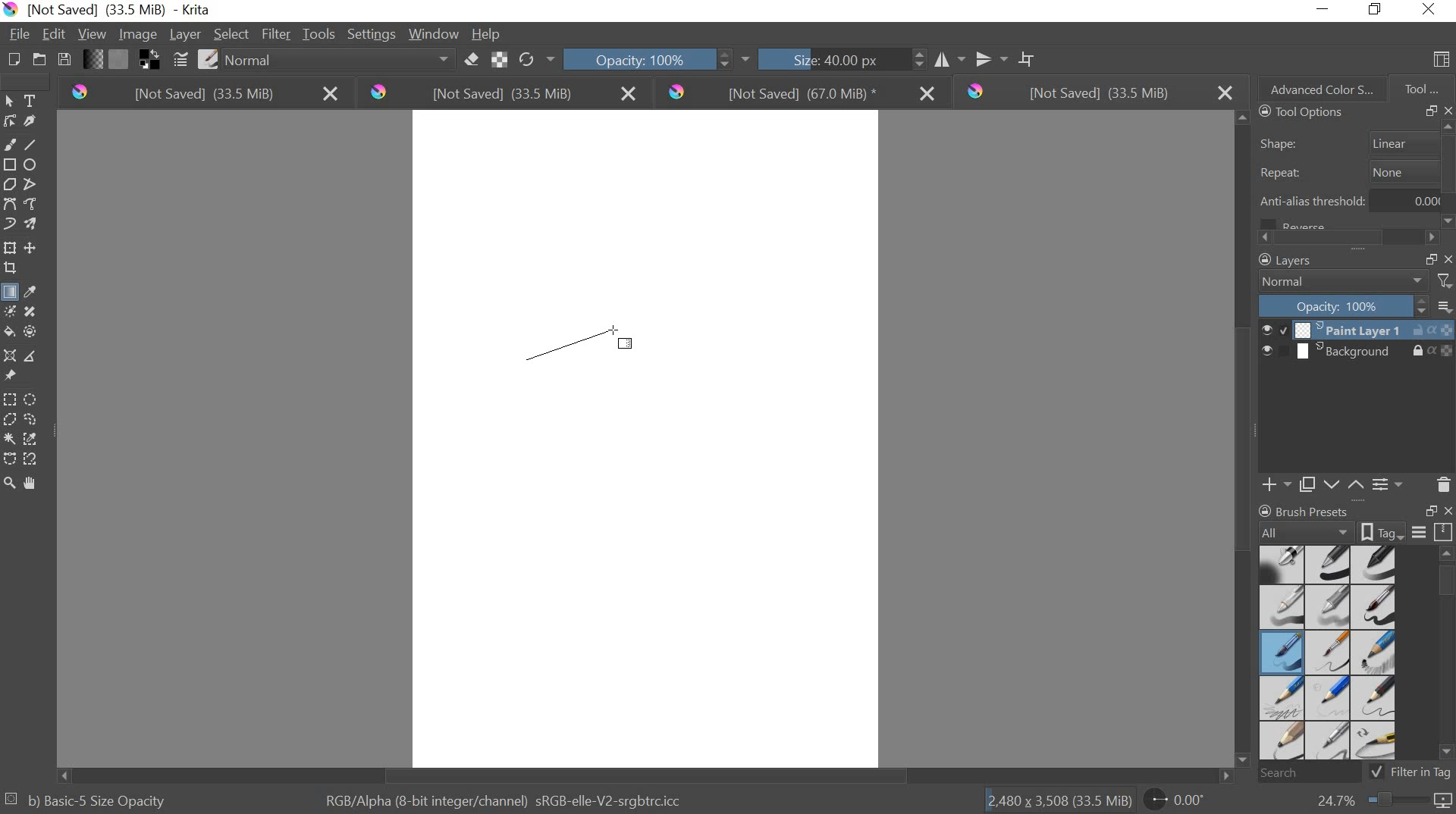 The height and width of the screenshot is (814, 1456). I want to click on dynamic brush, so click(9, 223).